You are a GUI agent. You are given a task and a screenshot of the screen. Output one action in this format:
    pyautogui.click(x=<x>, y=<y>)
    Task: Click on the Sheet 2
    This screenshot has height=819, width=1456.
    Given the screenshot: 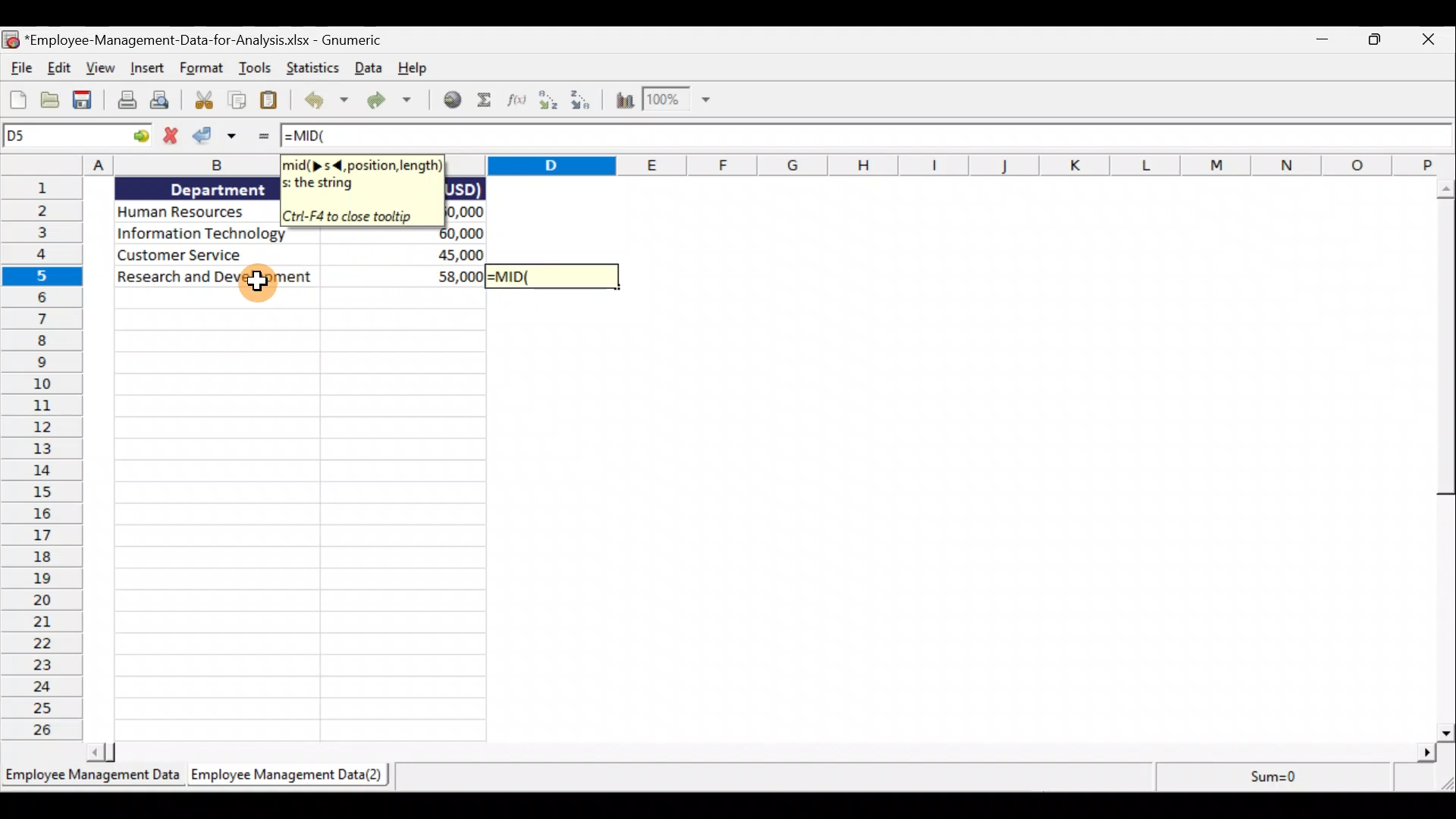 What is the action you would take?
    pyautogui.click(x=294, y=778)
    